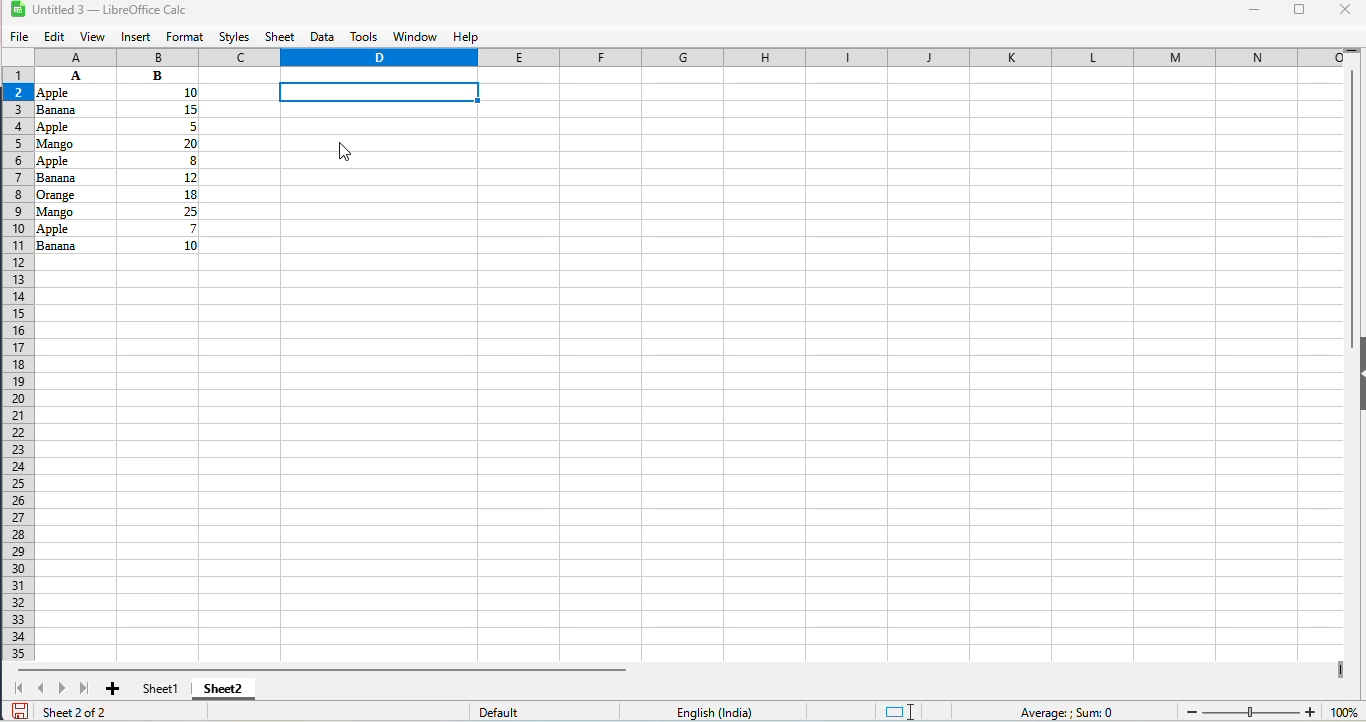 The image size is (1366, 722). What do you see at coordinates (109, 9) in the screenshot?
I see `title` at bounding box center [109, 9].